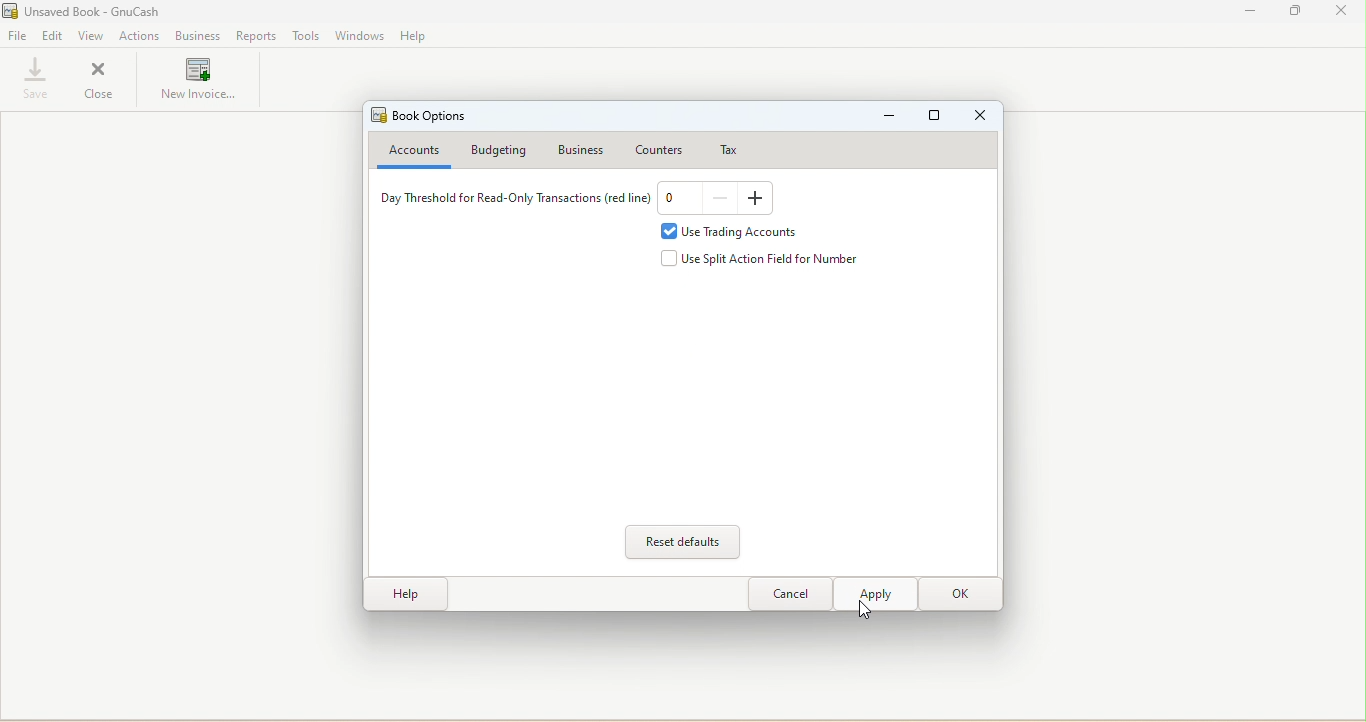 The width and height of the screenshot is (1366, 722). Describe the element at coordinates (722, 199) in the screenshot. I see `Decrease` at that location.